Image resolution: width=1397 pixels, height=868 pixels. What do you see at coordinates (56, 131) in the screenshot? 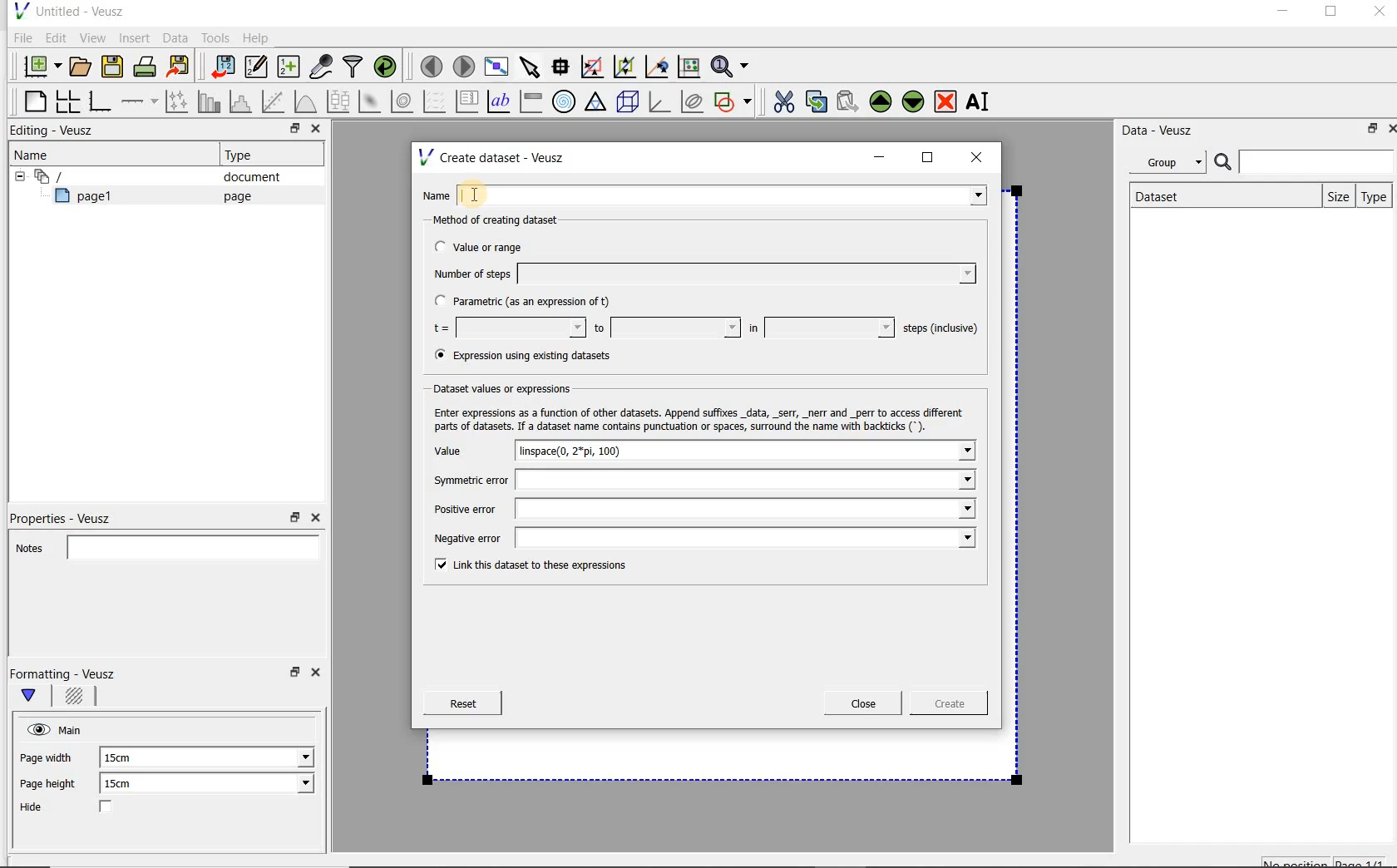
I see `Editing - Veusz` at bounding box center [56, 131].